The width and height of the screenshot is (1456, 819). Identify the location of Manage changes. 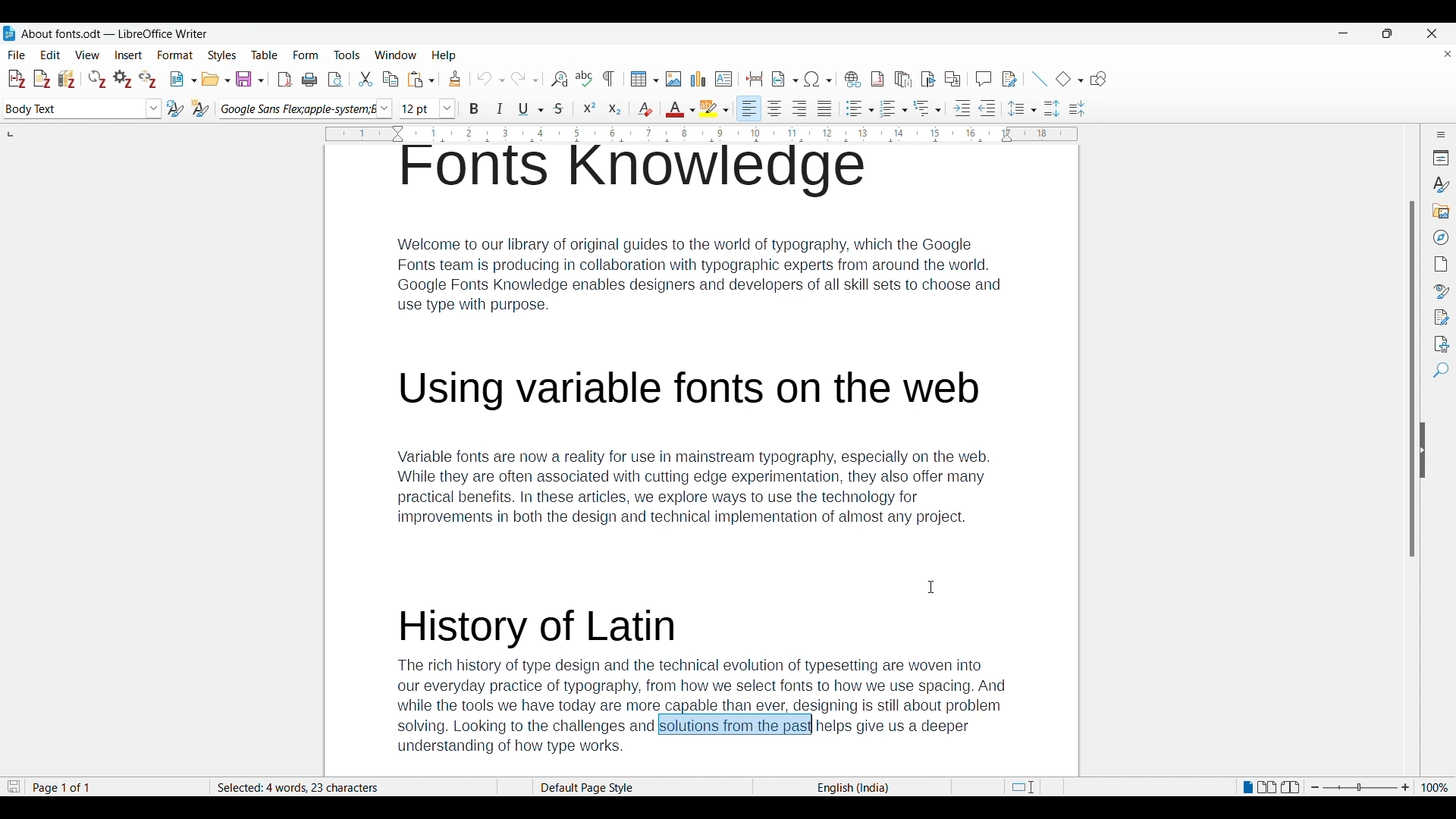
(1439, 318).